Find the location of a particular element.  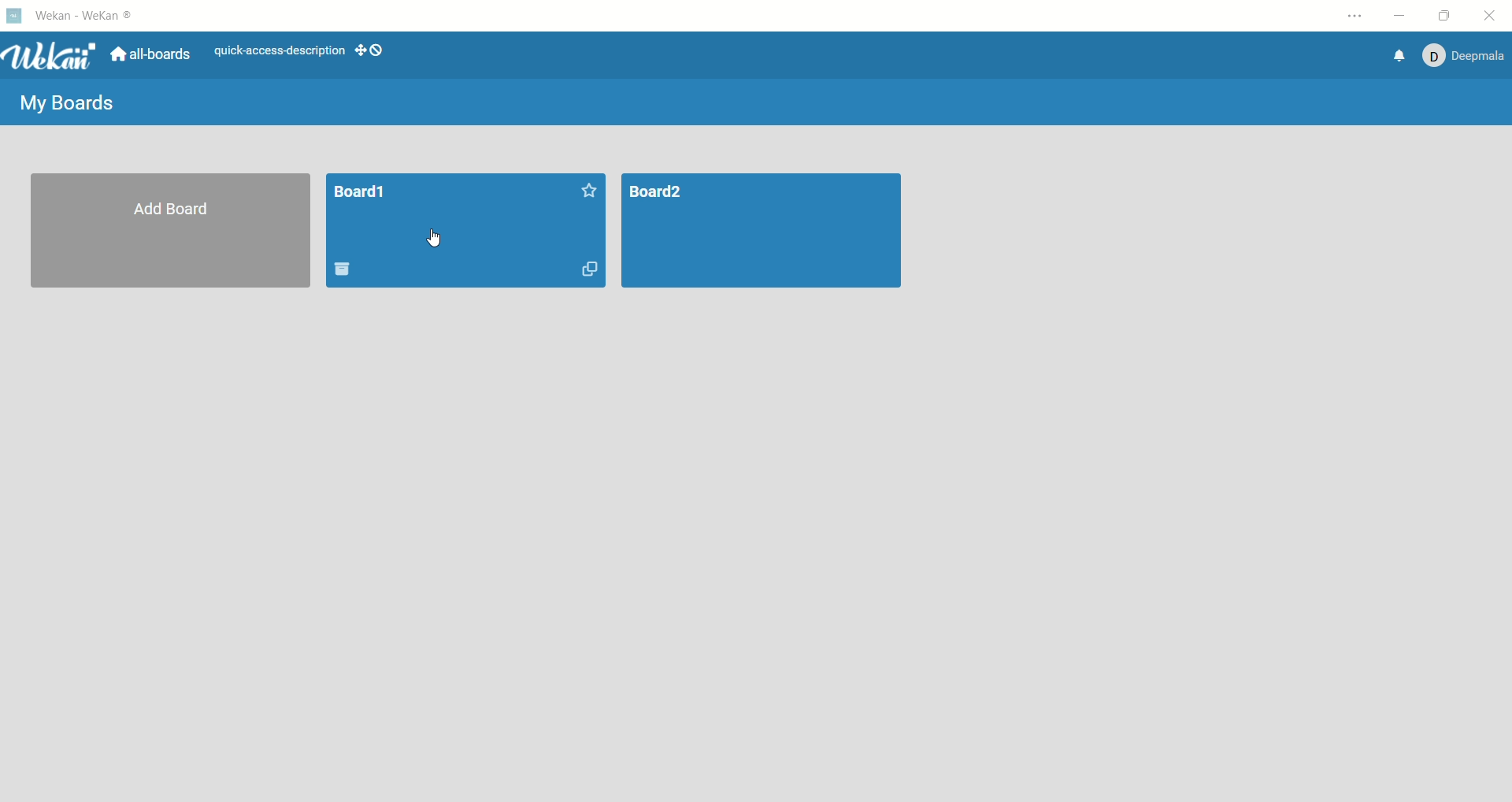

close is located at coordinates (1493, 16).